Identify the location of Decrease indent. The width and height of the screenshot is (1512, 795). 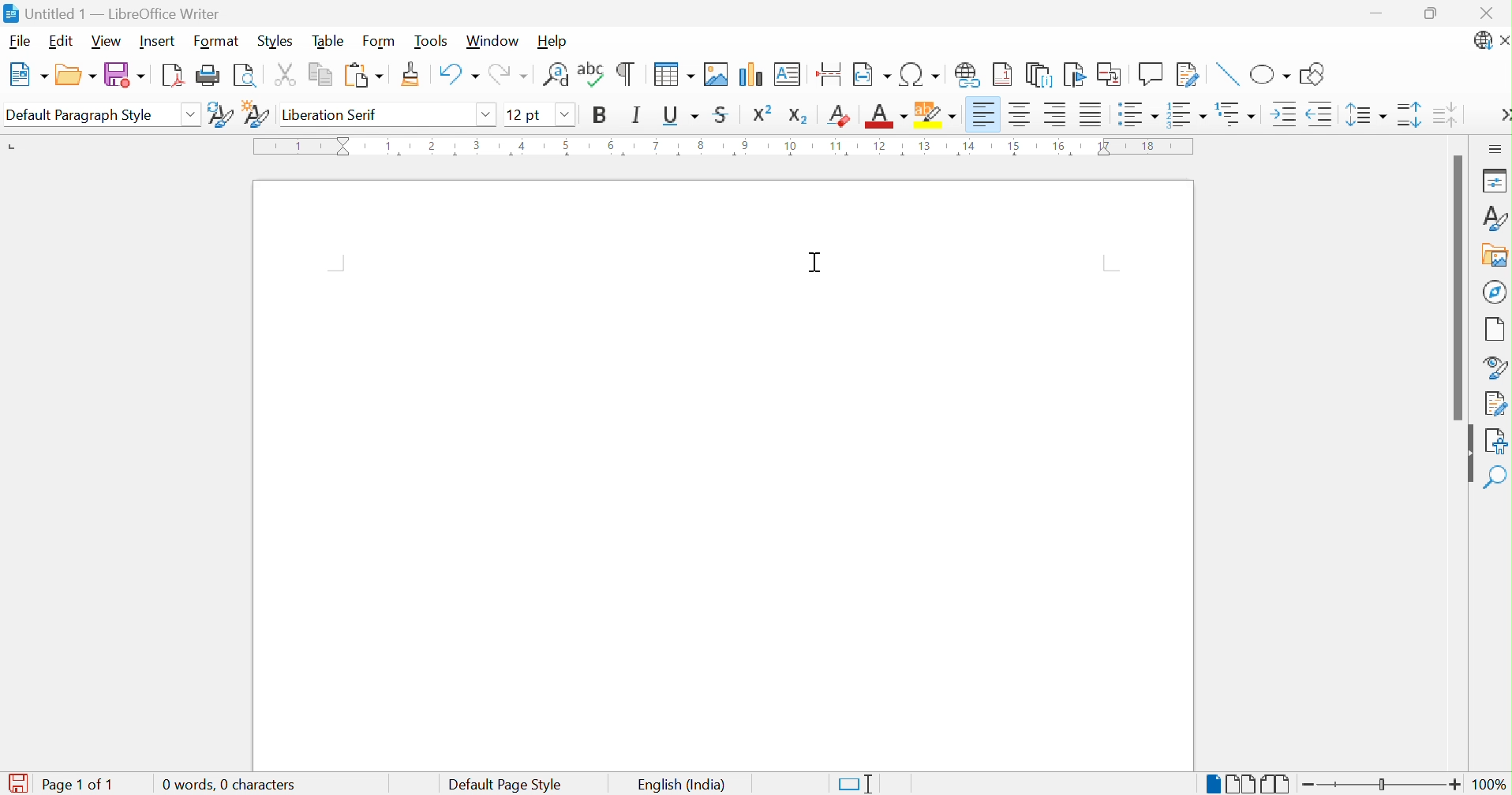
(1320, 114).